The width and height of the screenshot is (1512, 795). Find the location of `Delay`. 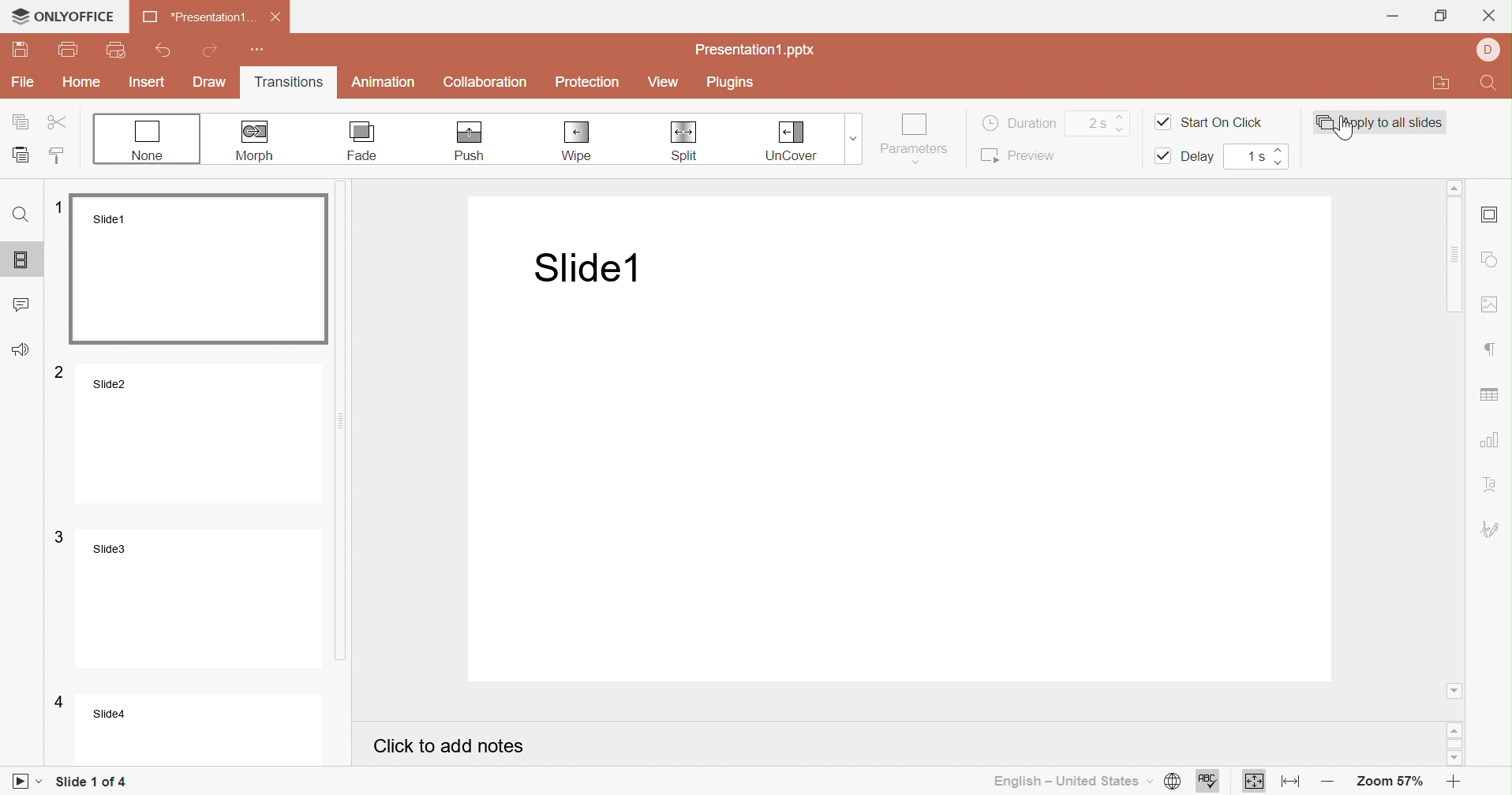

Delay is located at coordinates (1185, 160).